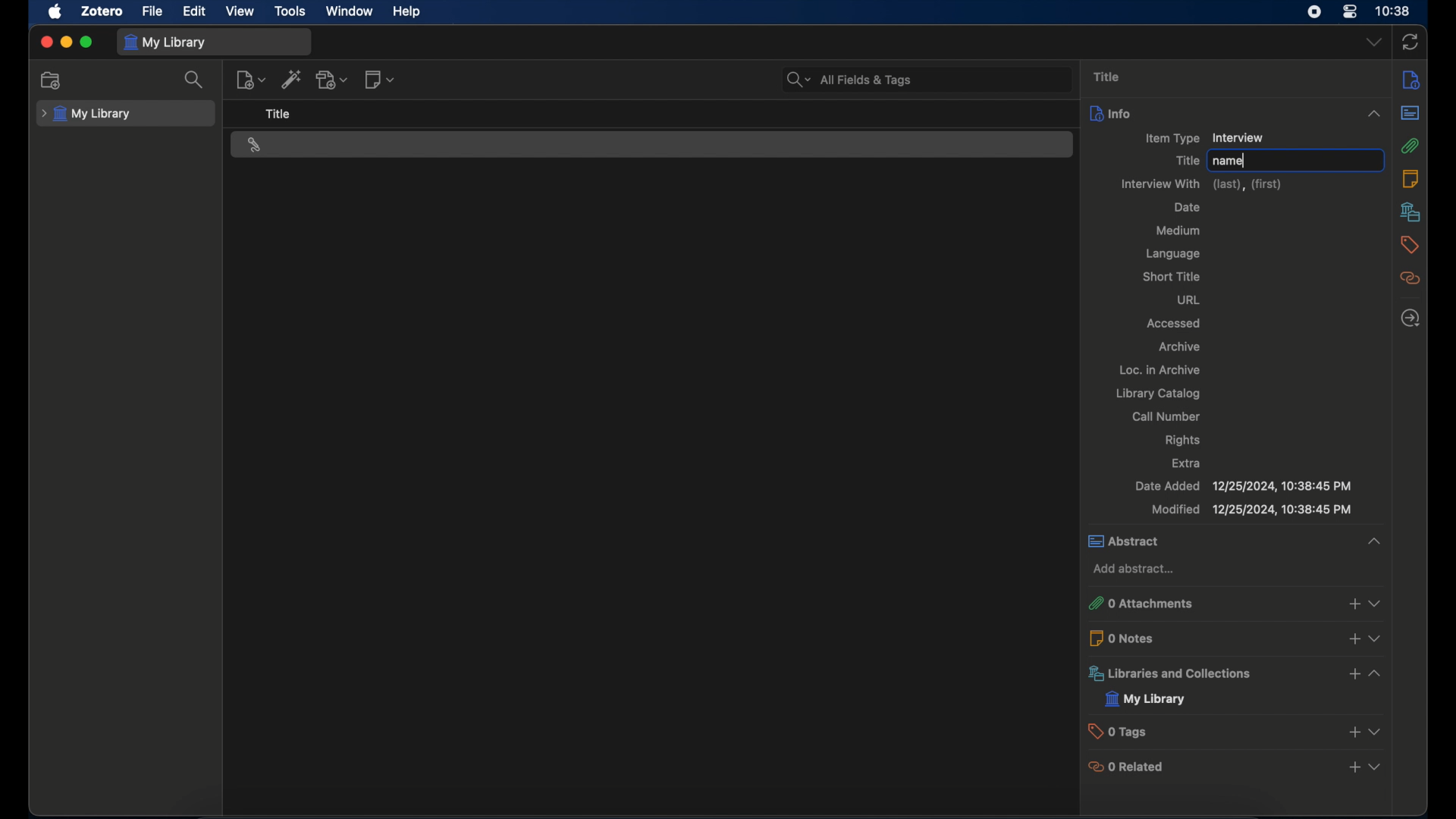  What do you see at coordinates (291, 79) in the screenshot?
I see `add item by identifier` at bounding box center [291, 79].